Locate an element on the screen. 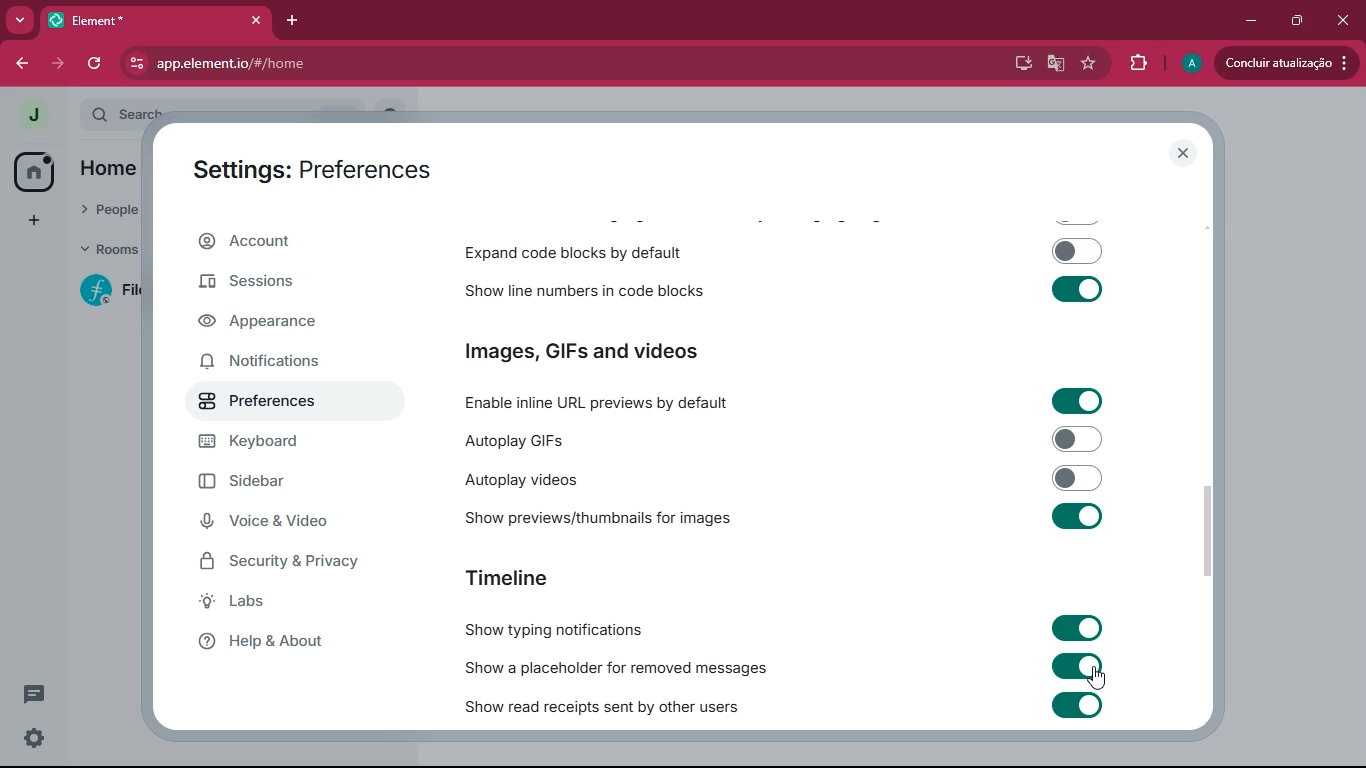  show line numbers in code blocks is located at coordinates (582, 289).